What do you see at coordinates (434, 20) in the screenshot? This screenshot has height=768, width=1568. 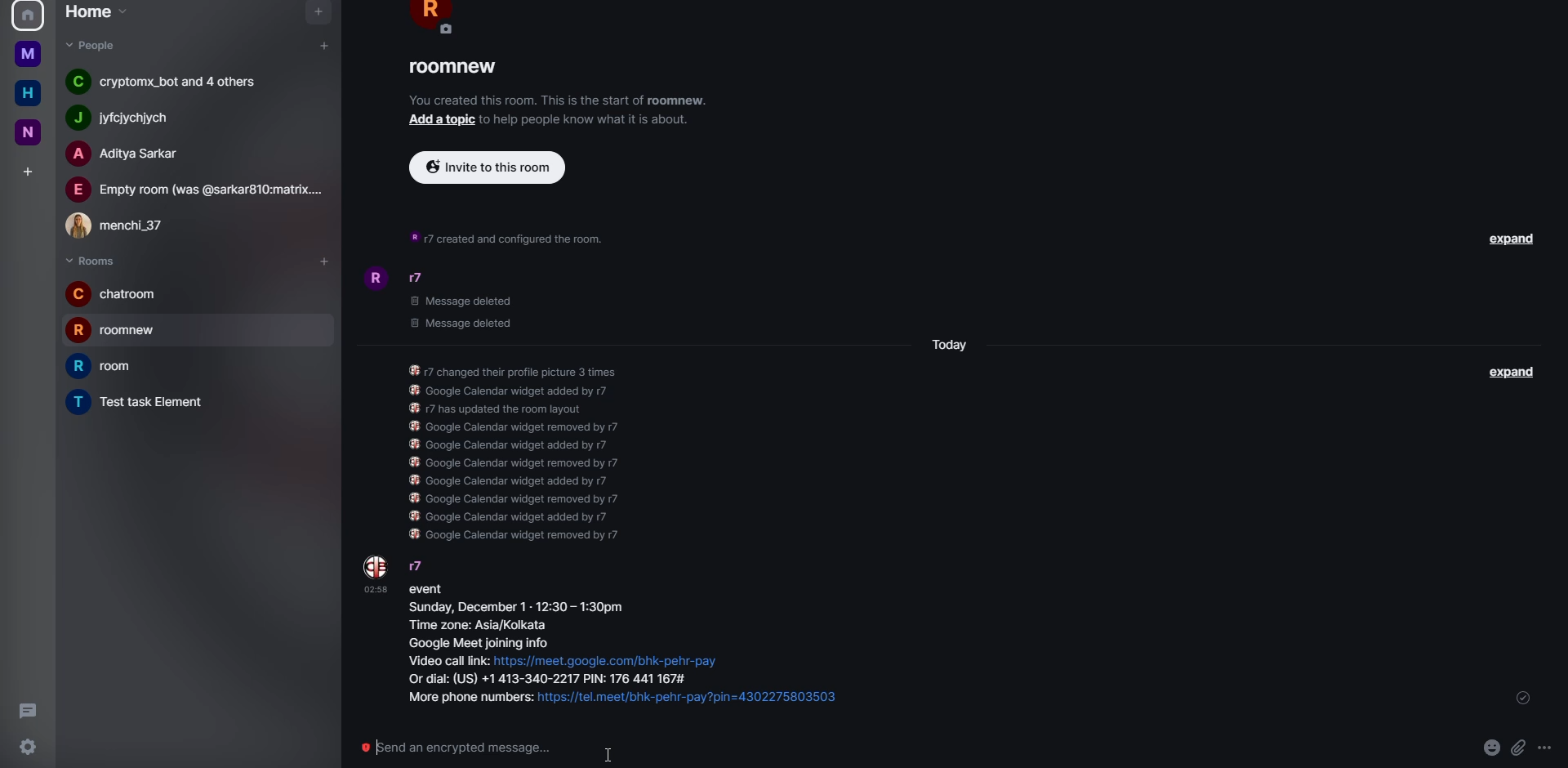 I see `profile` at bounding box center [434, 20].